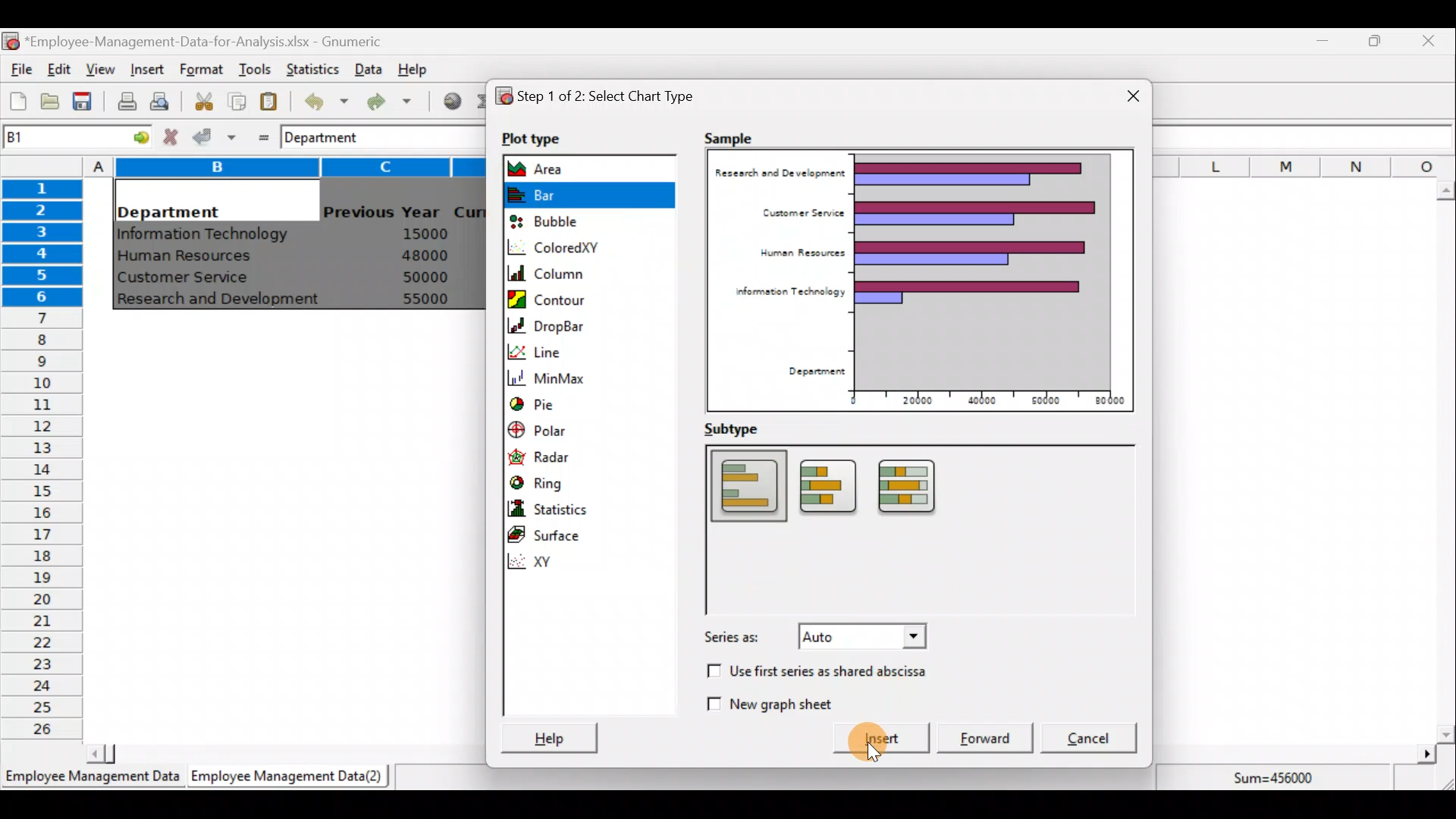 This screenshot has width=1456, height=819. Describe the element at coordinates (18, 101) in the screenshot. I see `Create a new workbook` at that location.